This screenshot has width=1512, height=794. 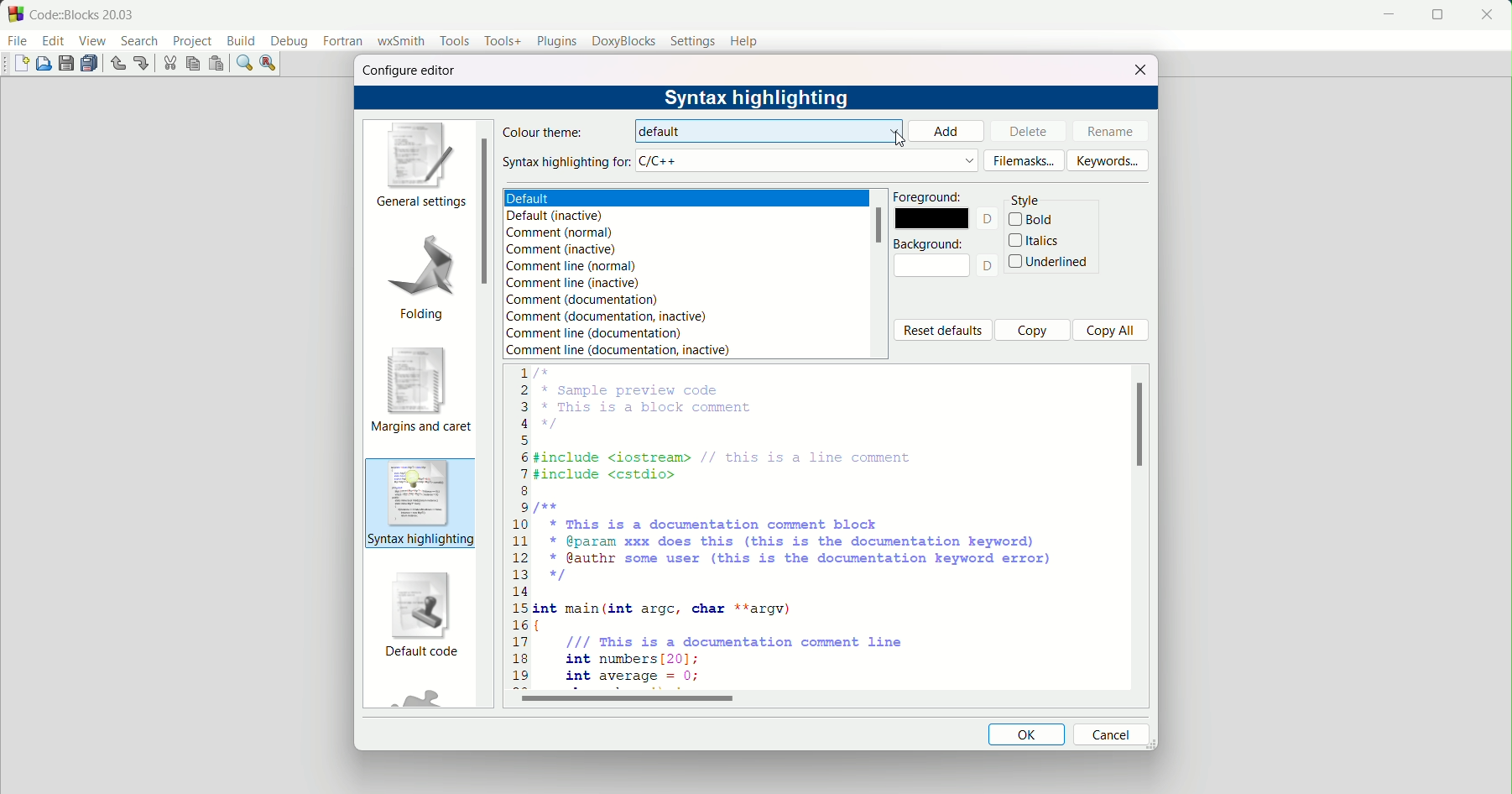 What do you see at coordinates (45, 64) in the screenshot?
I see `open` at bounding box center [45, 64].